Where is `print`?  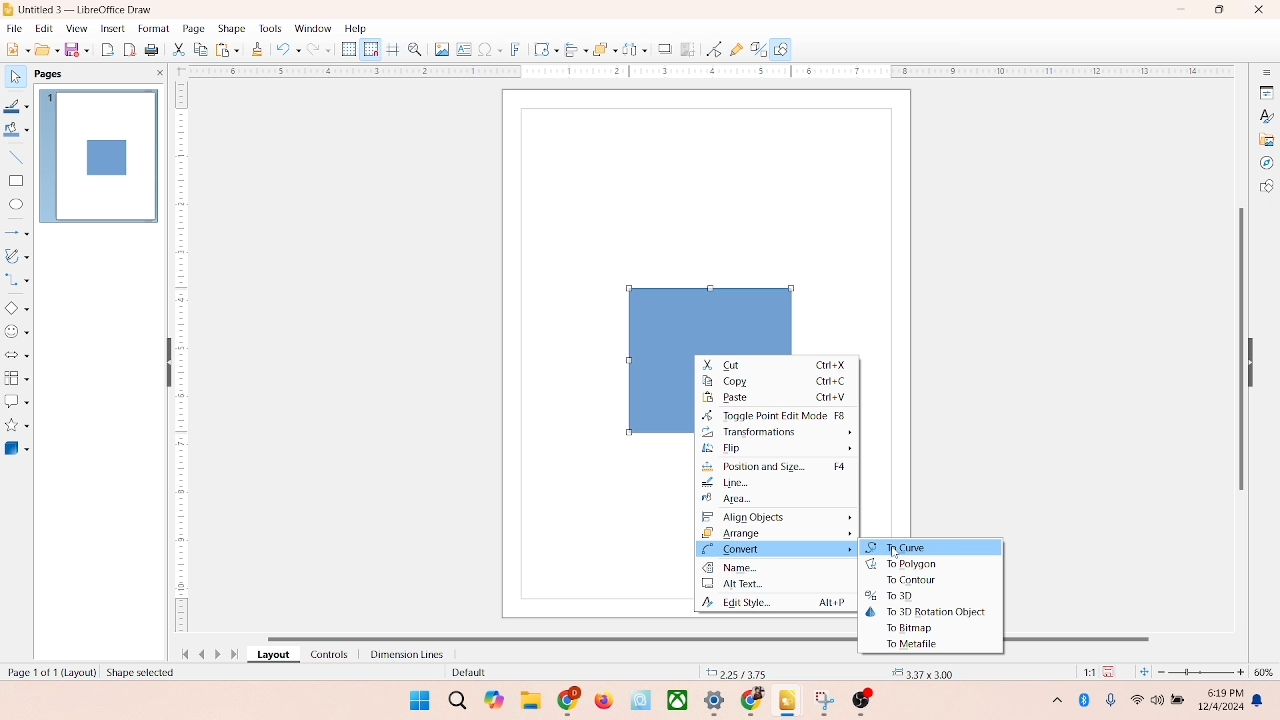
print is located at coordinates (226, 49).